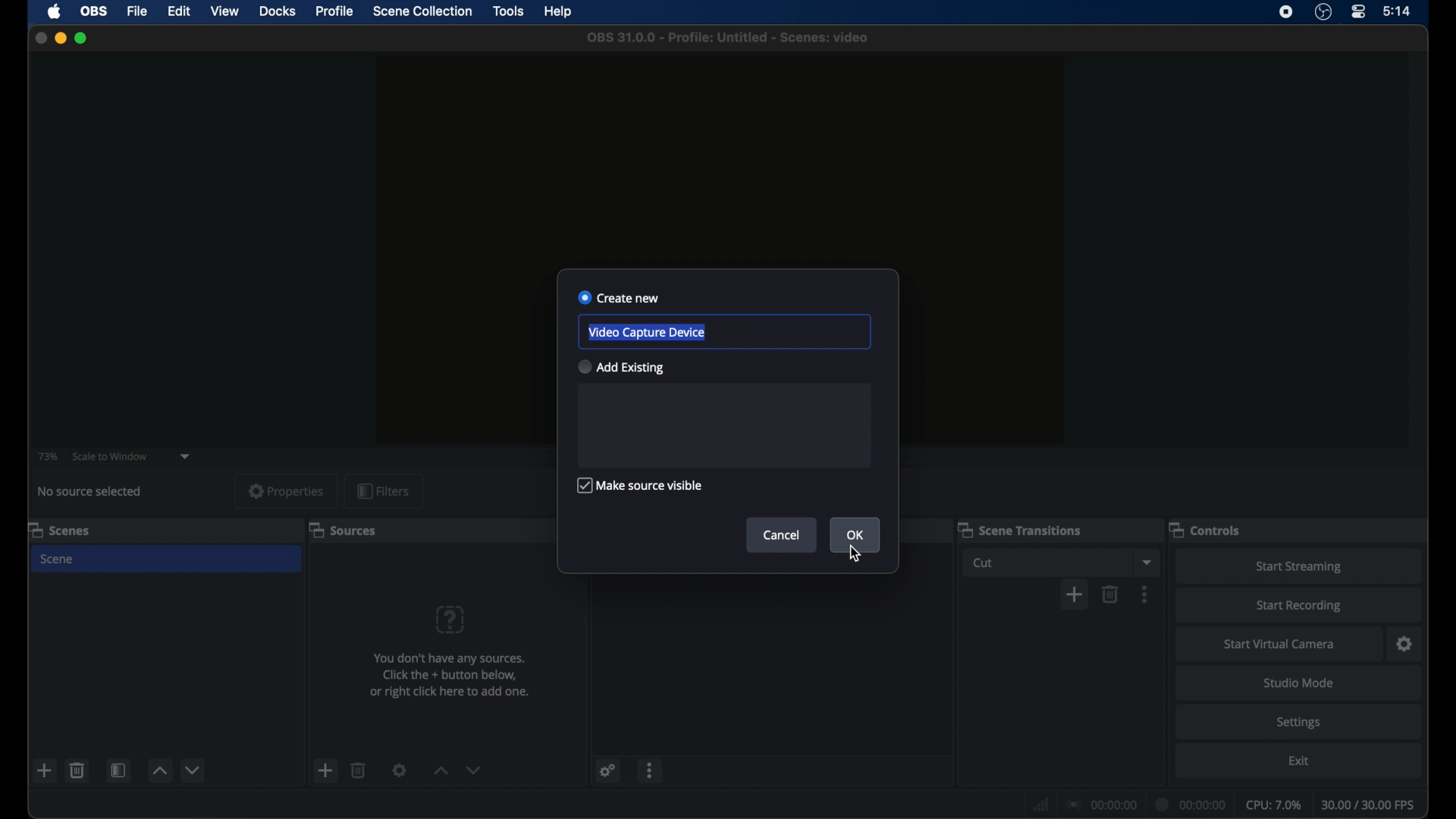  Describe the element at coordinates (856, 535) in the screenshot. I see `ok` at that location.